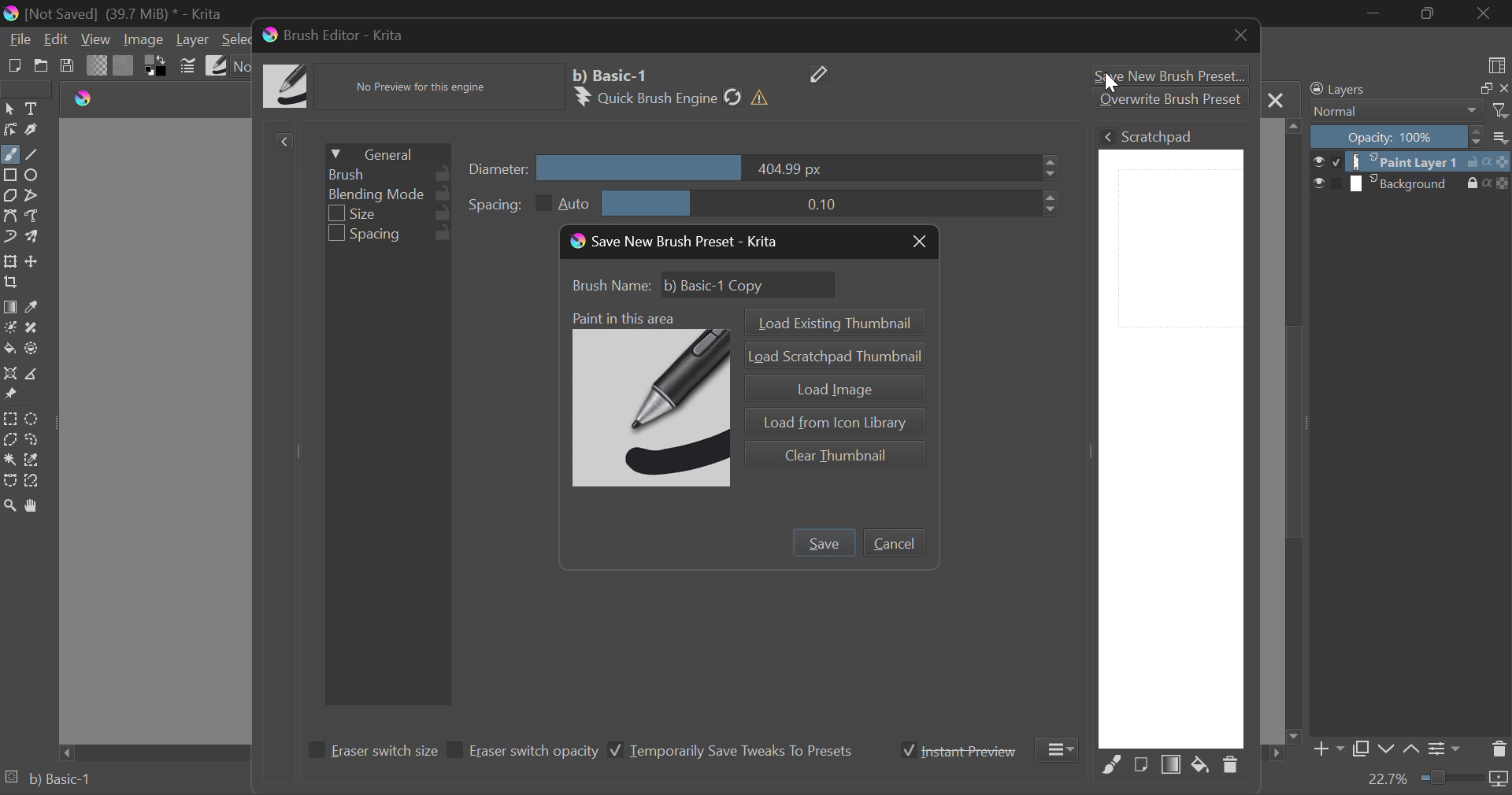  What do you see at coordinates (676, 243) in the screenshot?
I see `Save New Brush Preset -Krita` at bounding box center [676, 243].